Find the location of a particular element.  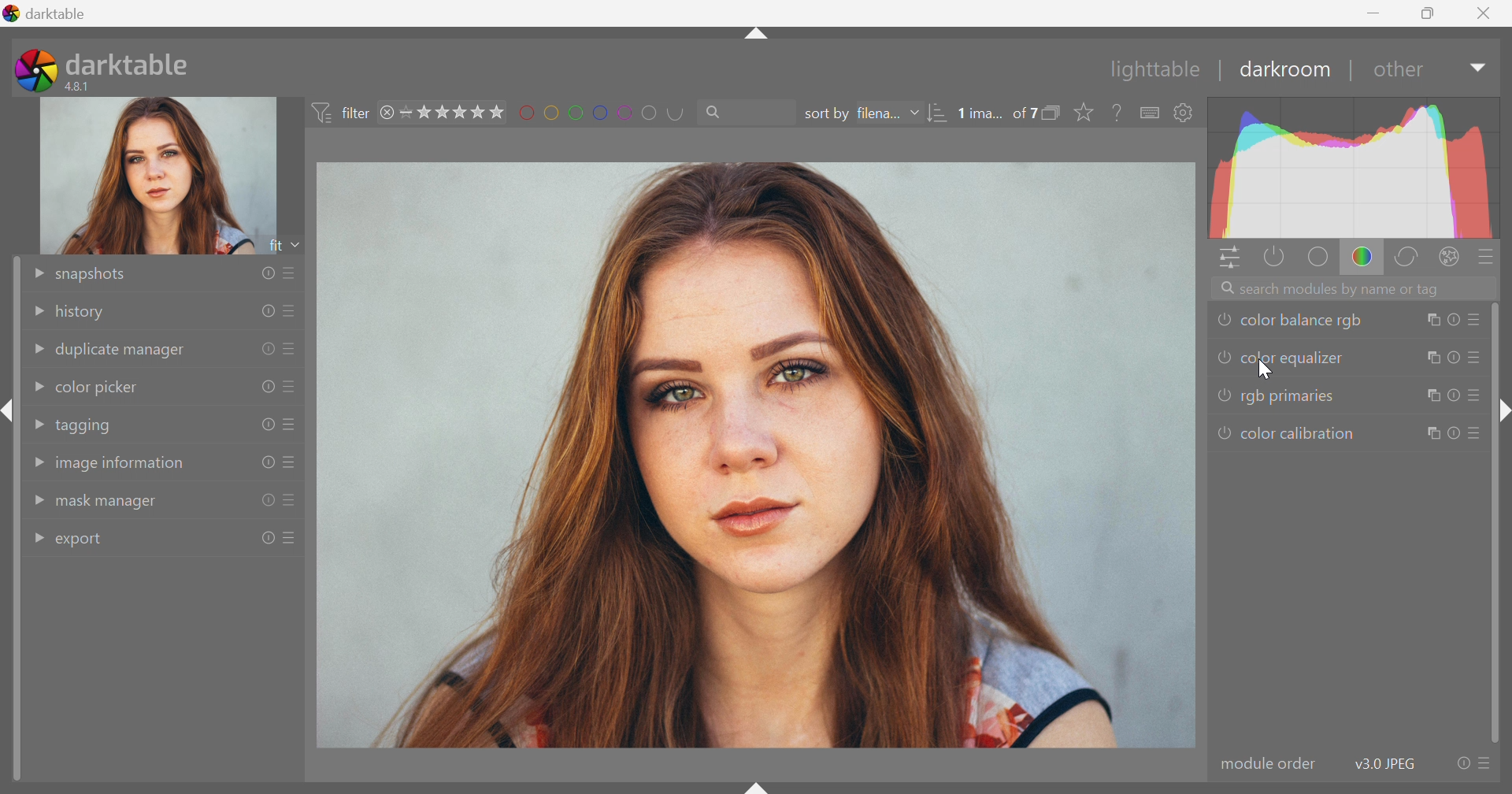

reset is located at coordinates (1452, 361).